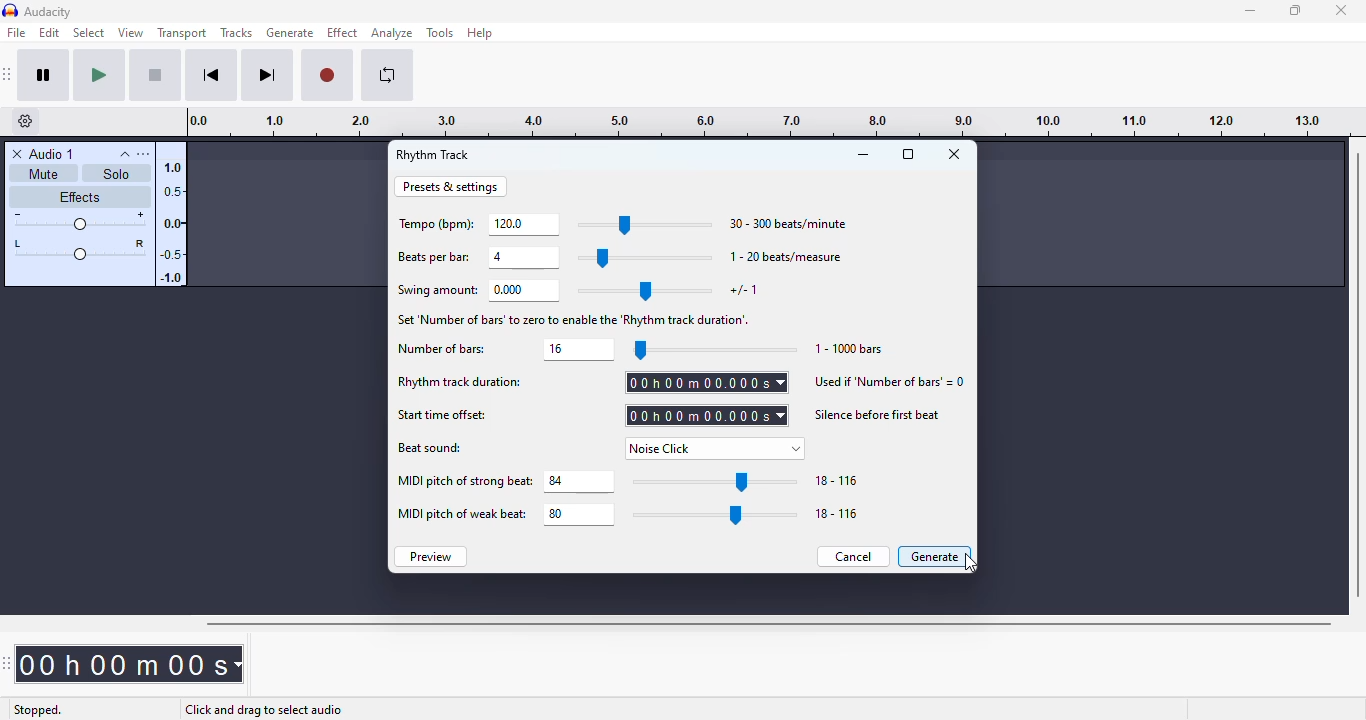  I want to click on rhythm track duration, so click(459, 381).